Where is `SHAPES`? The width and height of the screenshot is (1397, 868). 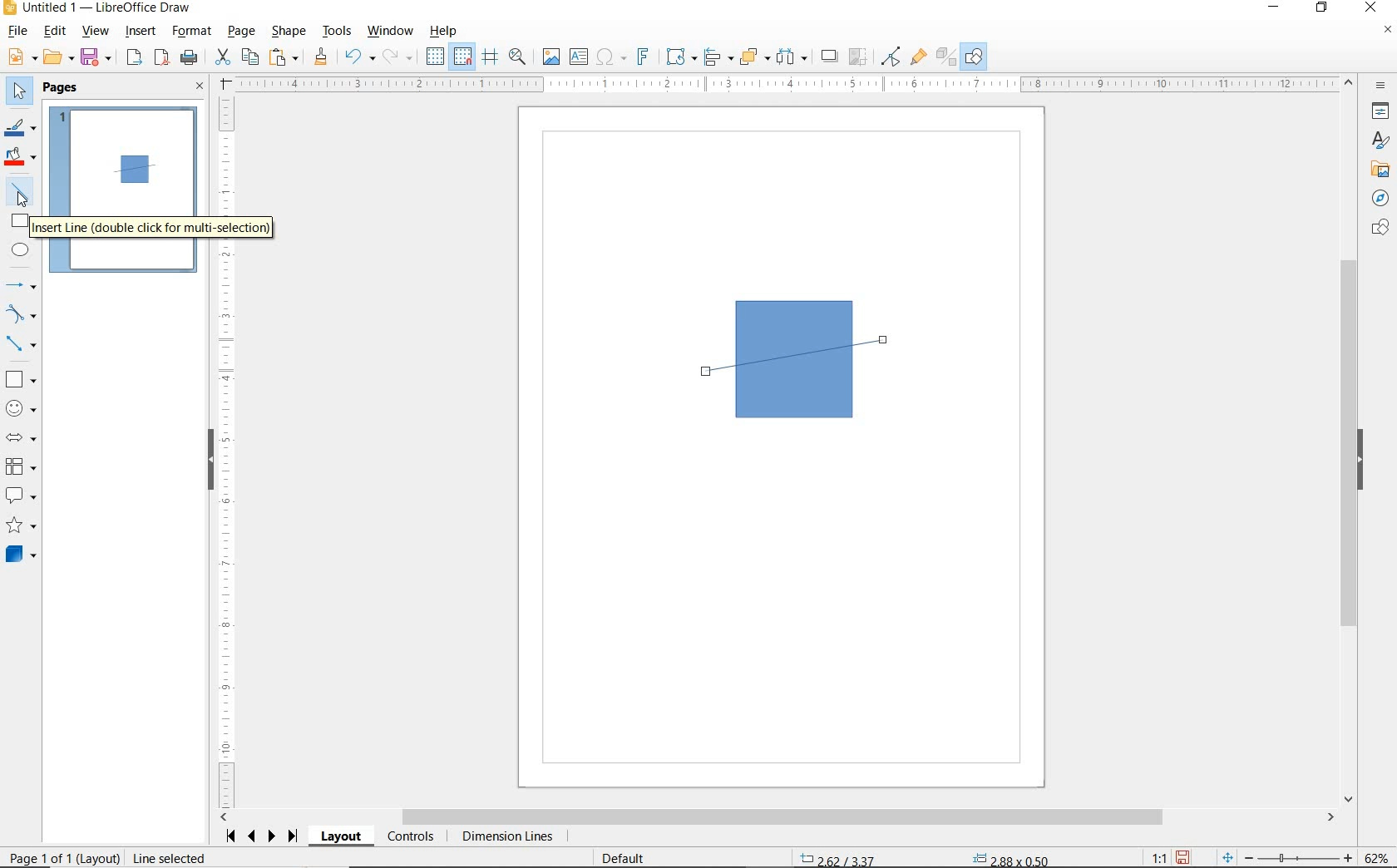 SHAPES is located at coordinates (1378, 229).